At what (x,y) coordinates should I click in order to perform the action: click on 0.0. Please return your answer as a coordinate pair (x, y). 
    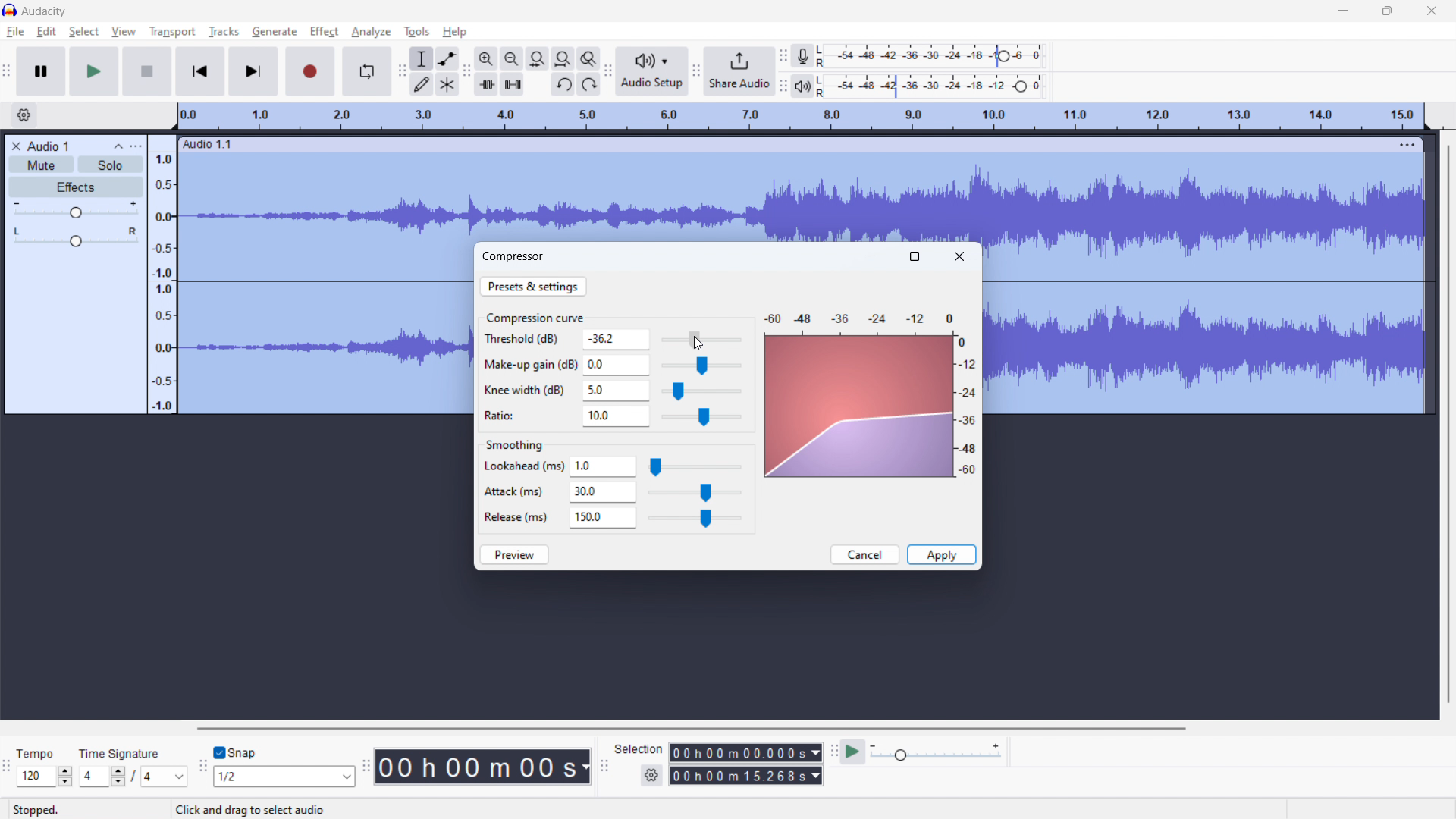
    Looking at the image, I should click on (617, 363).